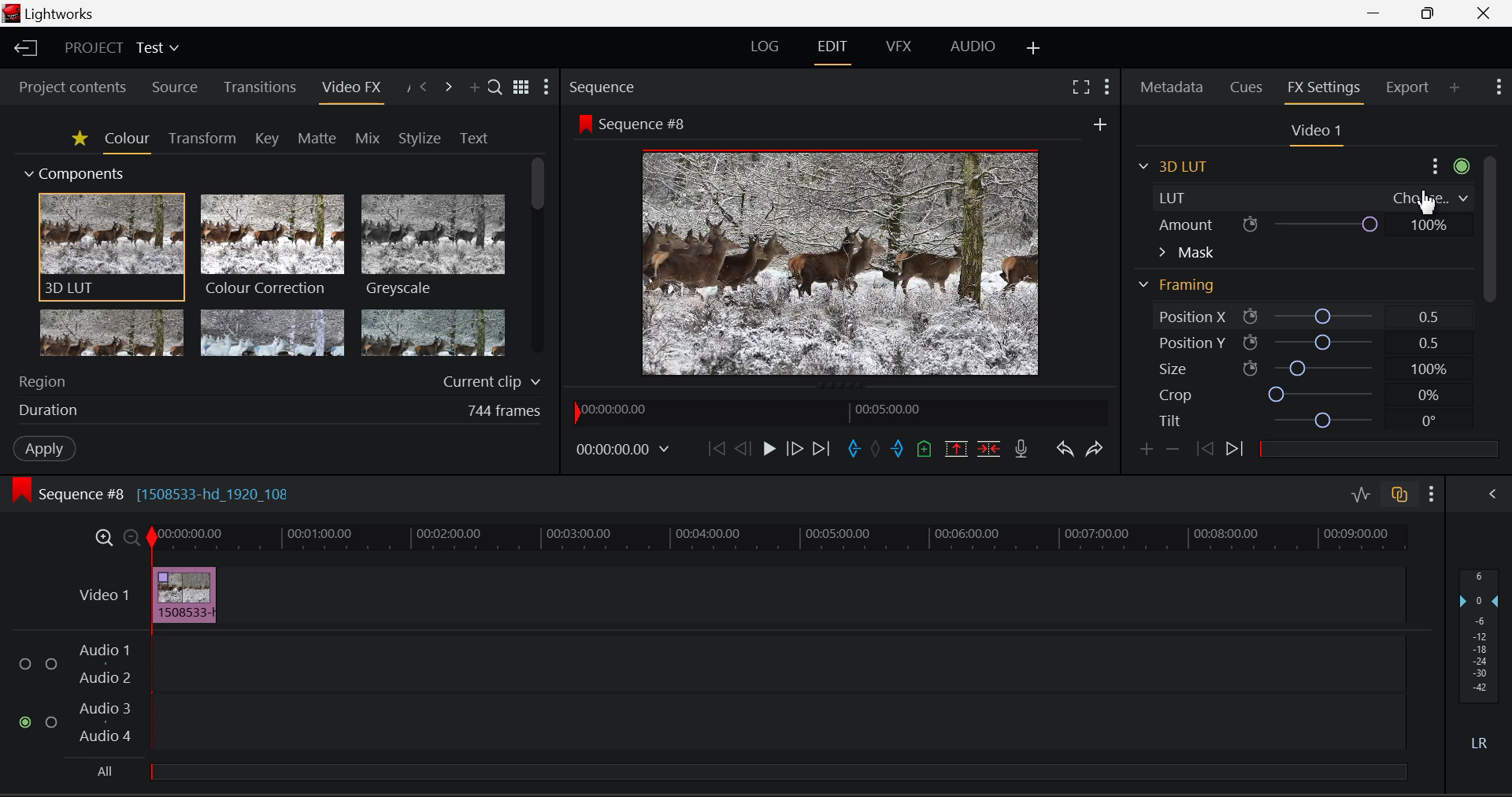  What do you see at coordinates (877, 451) in the screenshot?
I see `Remove all marks` at bounding box center [877, 451].